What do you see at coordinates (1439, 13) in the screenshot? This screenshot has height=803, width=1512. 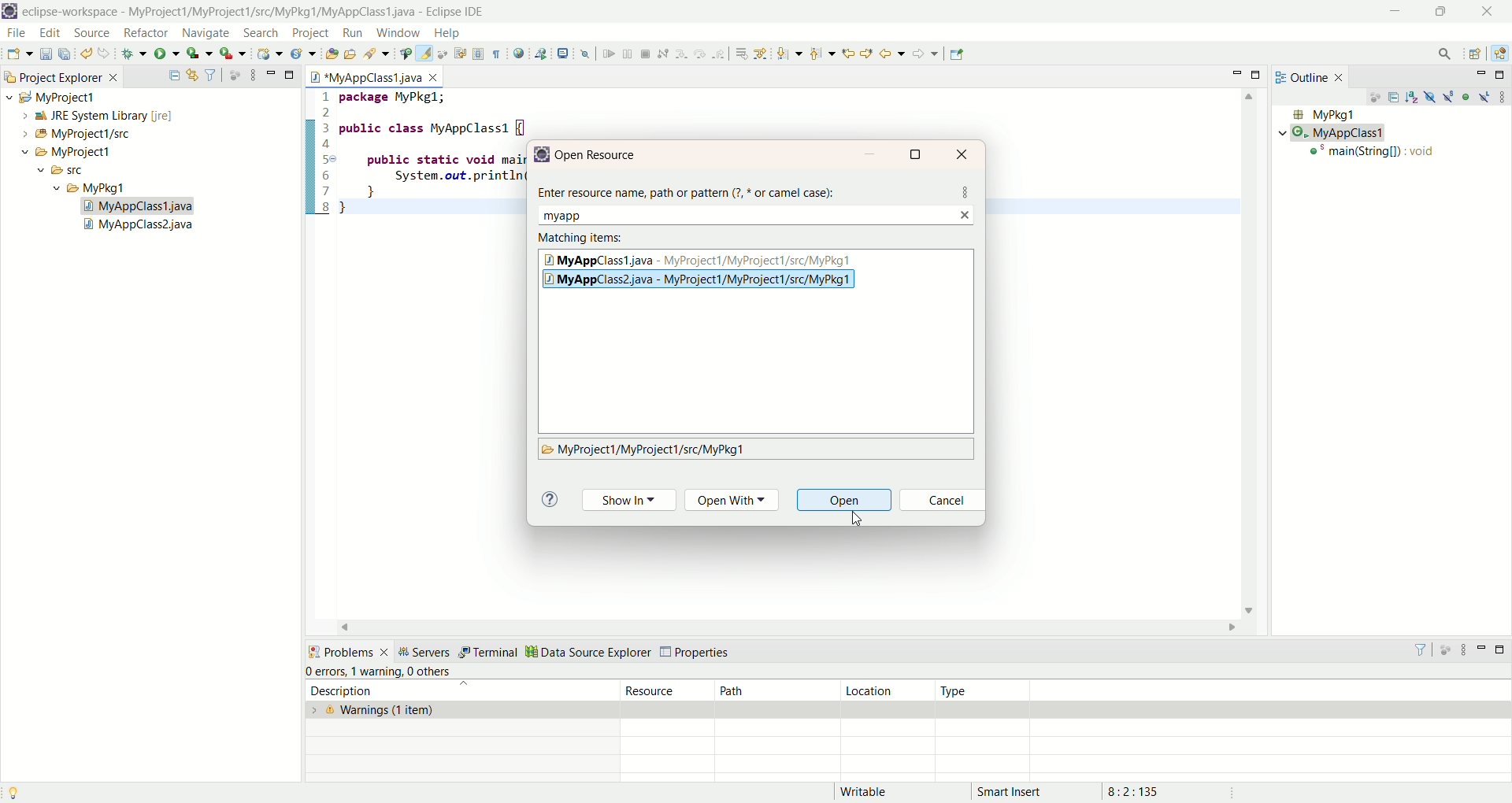 I see `maximize` at bounding box center [1439, 13].